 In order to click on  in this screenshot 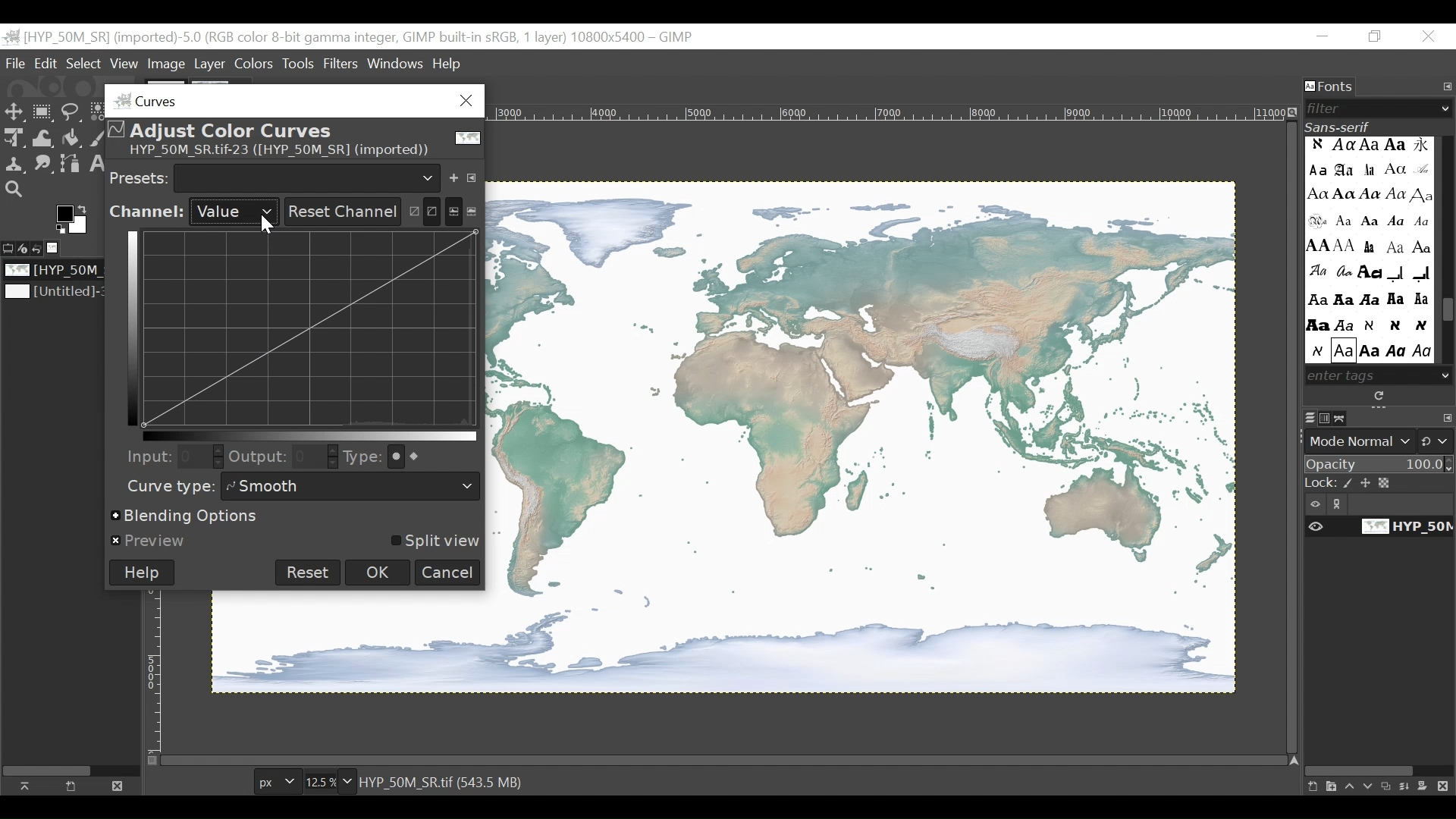, I will do `click(210, 64)`.